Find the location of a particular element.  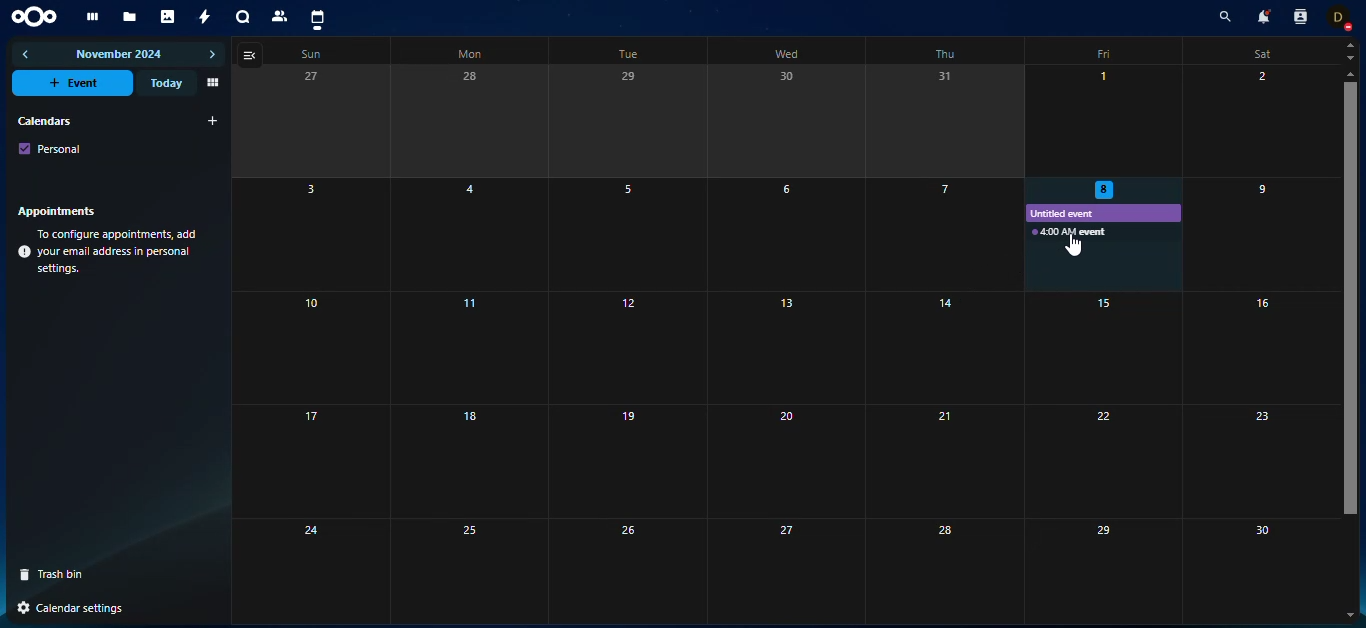

appointments is located at coordinates (62, 210).